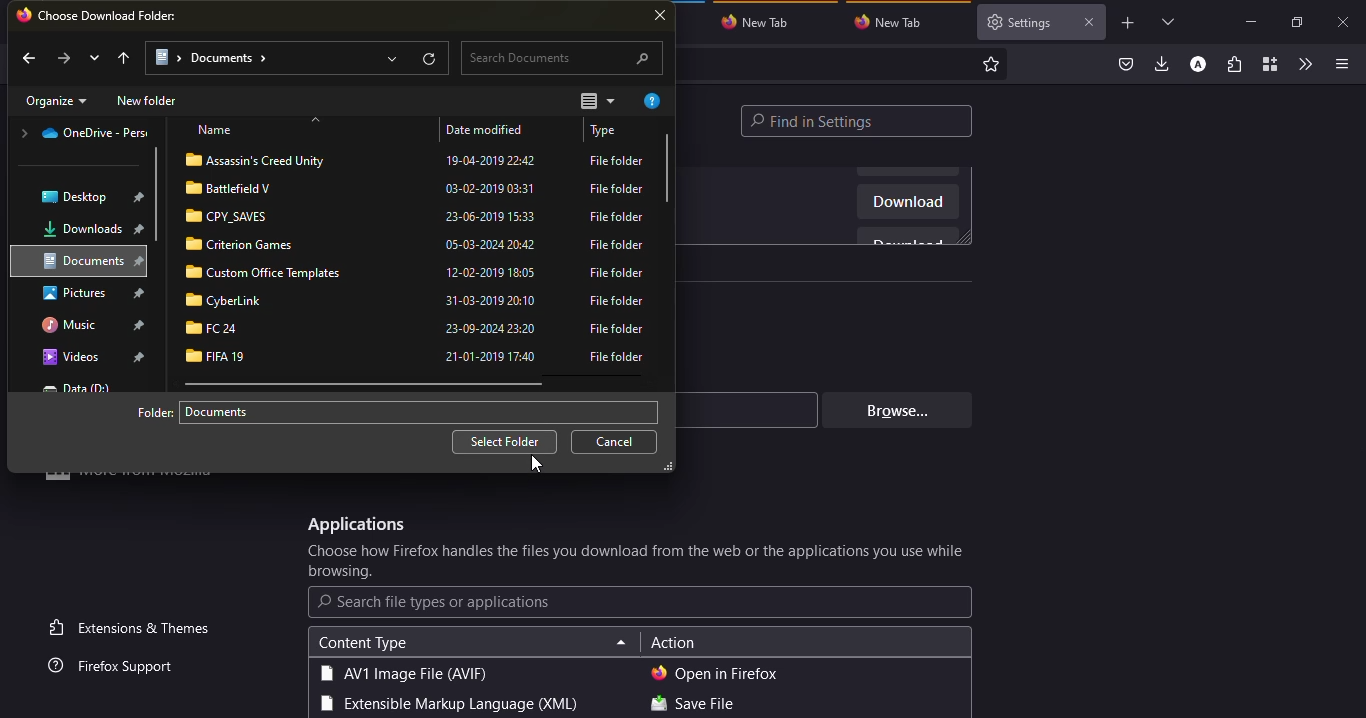 This screenshot has height=718, width=1366. What do you see at coordinates (354, 525) in the screenshot?
I see `apps` at bounding box center [354, 525].